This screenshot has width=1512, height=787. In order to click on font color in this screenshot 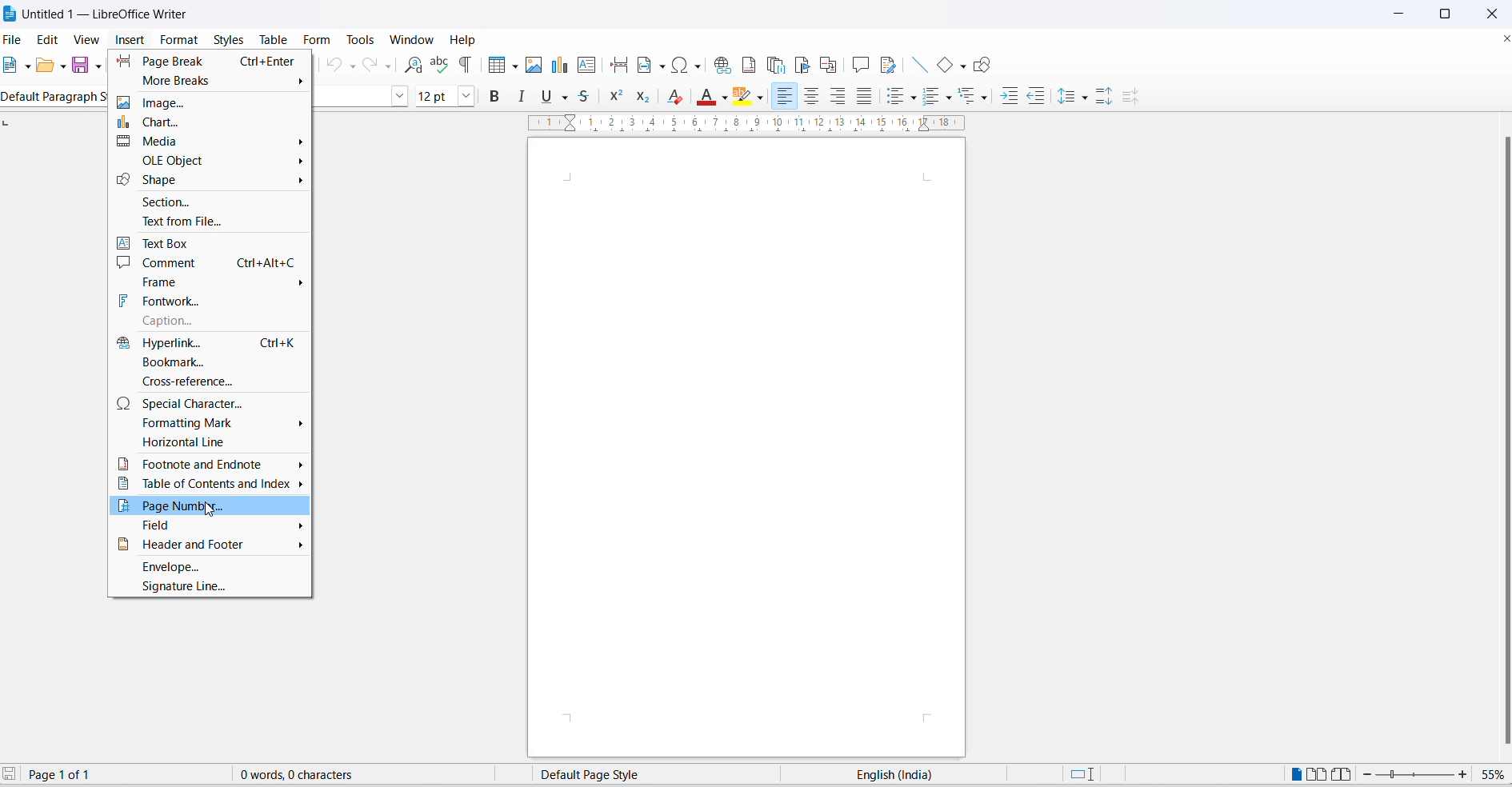, I will do `click(707, 98)`.